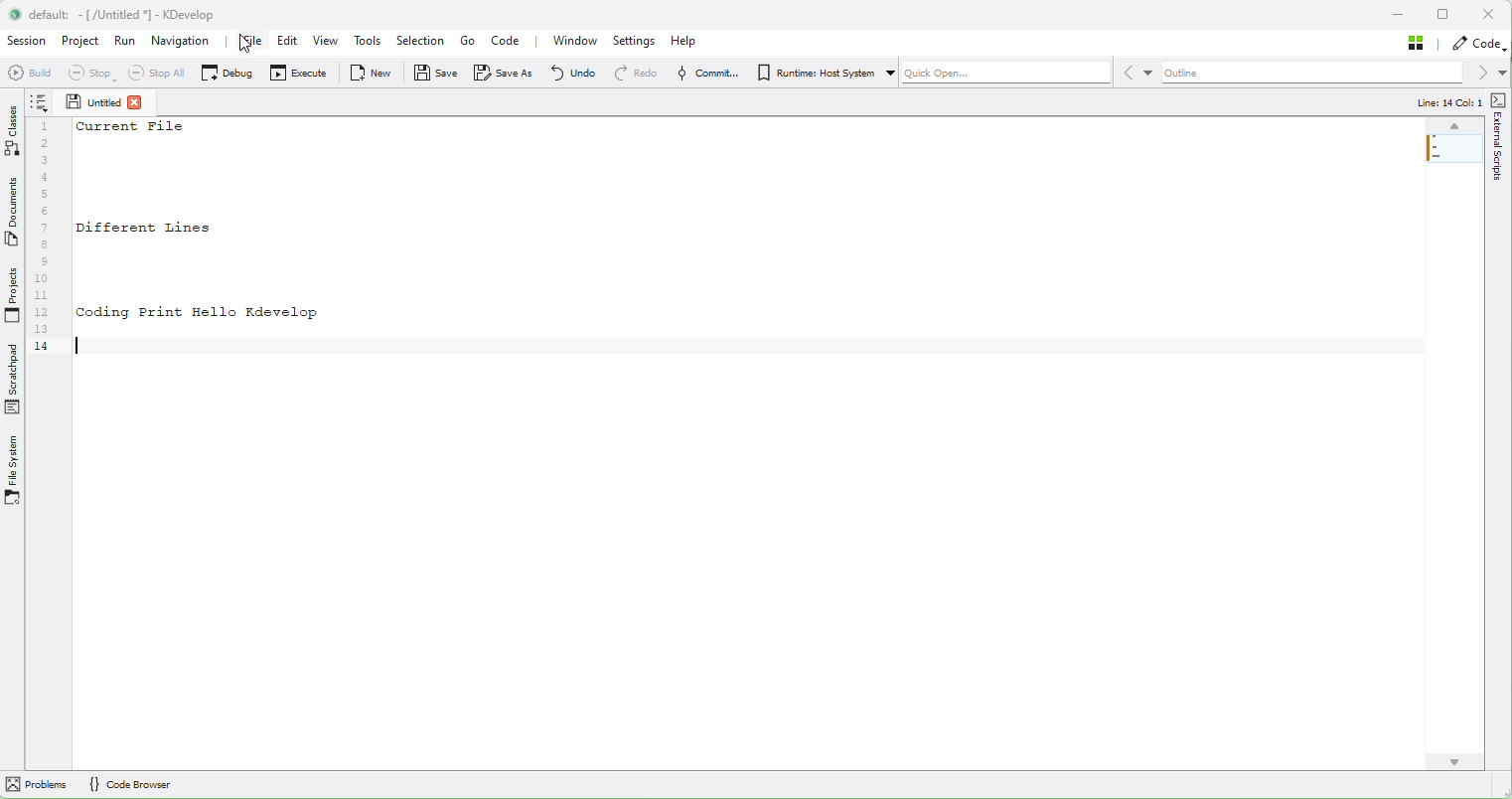 This screenshot has width=1512, height=799. I want to click on Commit, so click(702, 74).